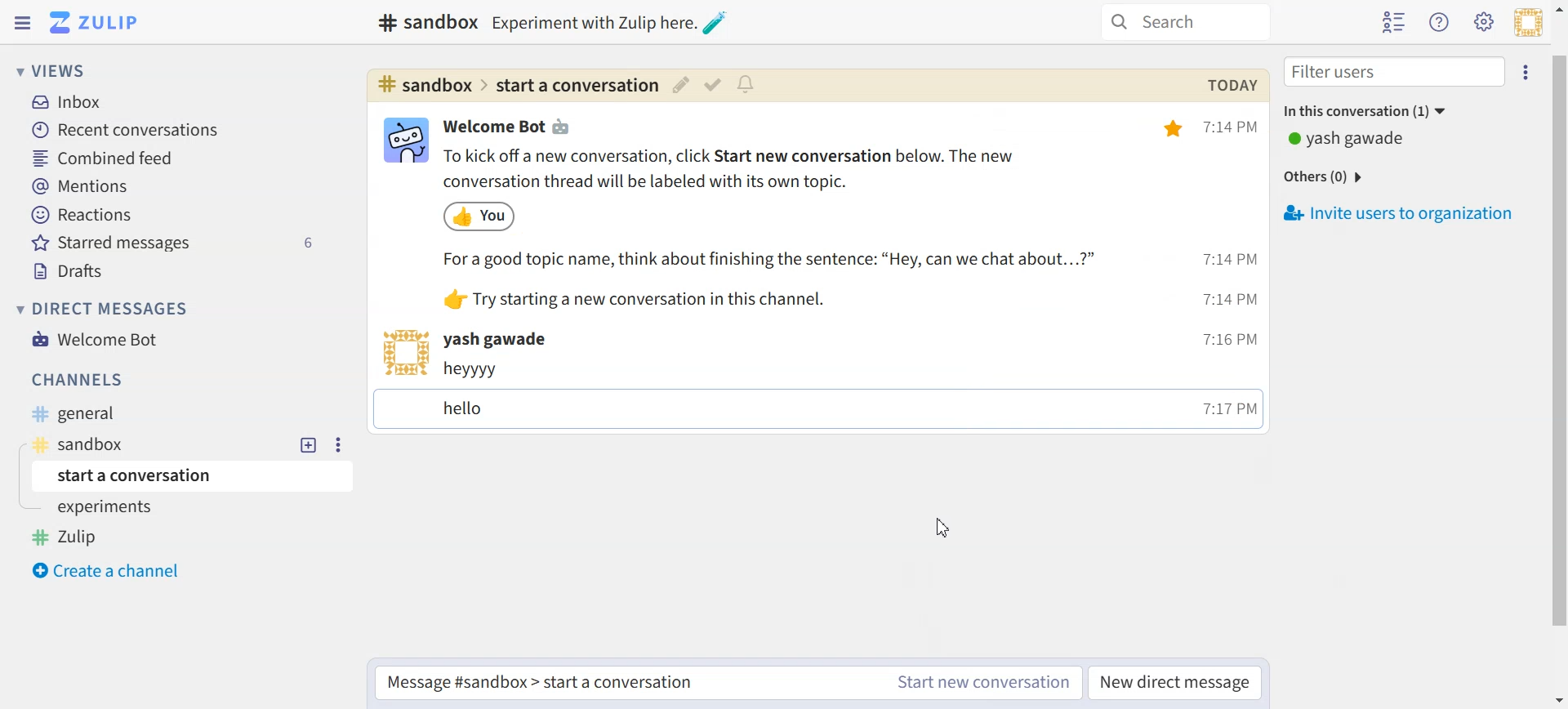 This screenshot has width=1568, height=709. What do you see at coordinates (23, 23) in the screenshot?
I see `Hide Left sidebar` at bounding box center [23, 23].